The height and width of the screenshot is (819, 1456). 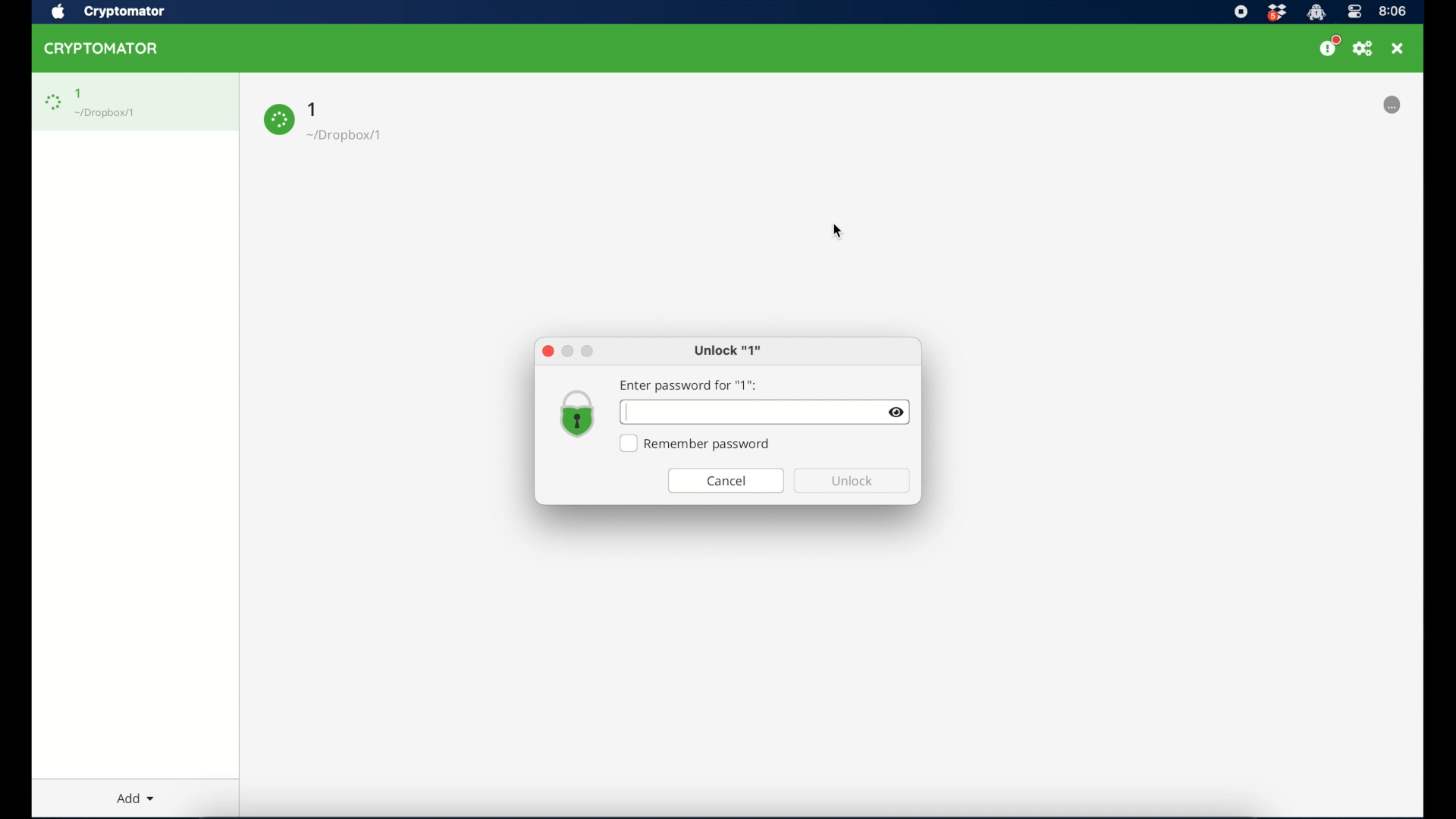 What do you see at coordinates (52, 103) in the screenshot?
I see `loading` at bounding box center [52, 103].